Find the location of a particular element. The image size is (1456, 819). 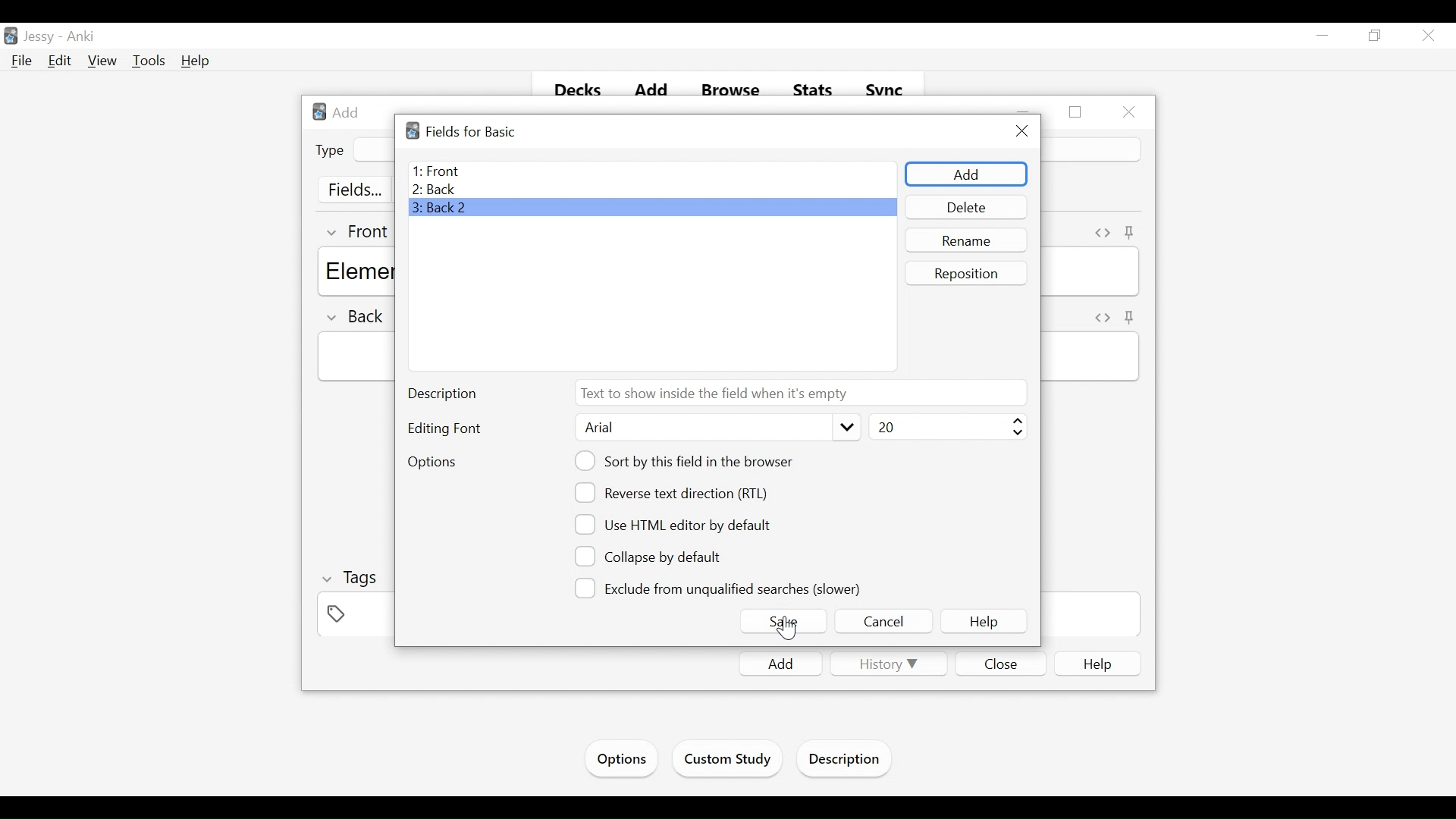

Anki Desktop Icon is located at coordinates (11, 36).